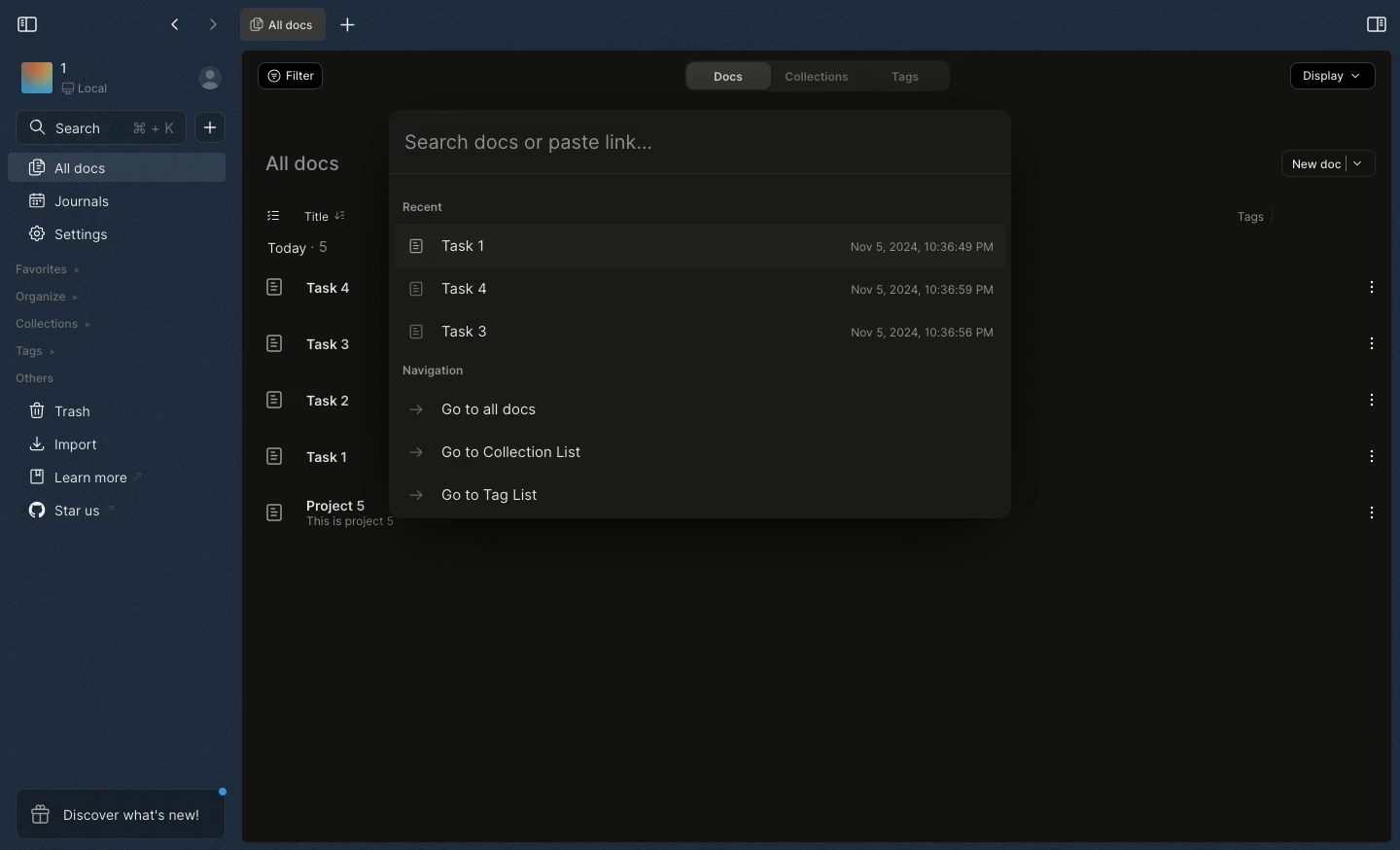  I want to click on Options, so click(1372, 341).